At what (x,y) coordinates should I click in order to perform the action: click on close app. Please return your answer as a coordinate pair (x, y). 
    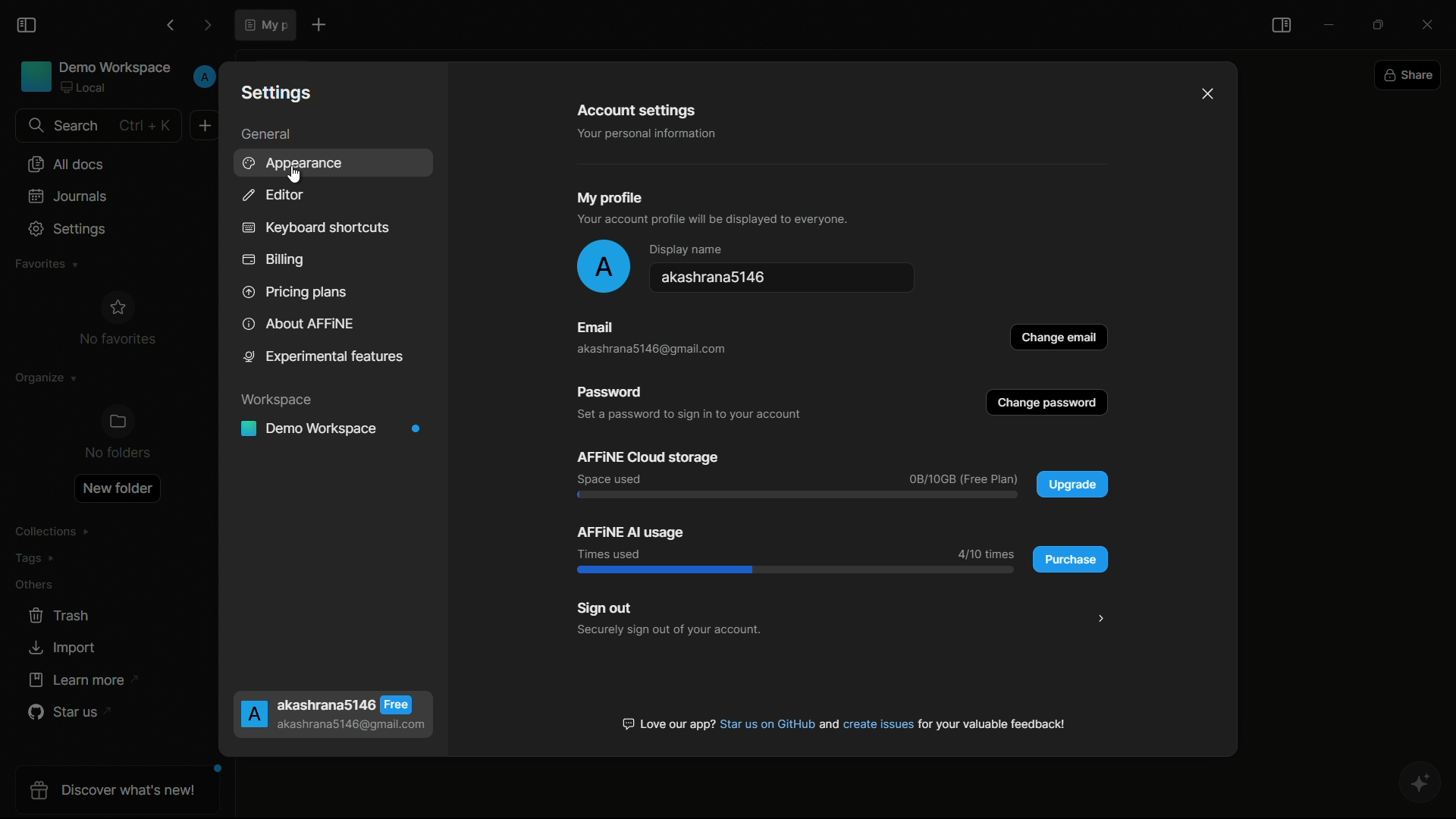
    Looking at the image, I should click on (1433, 22).